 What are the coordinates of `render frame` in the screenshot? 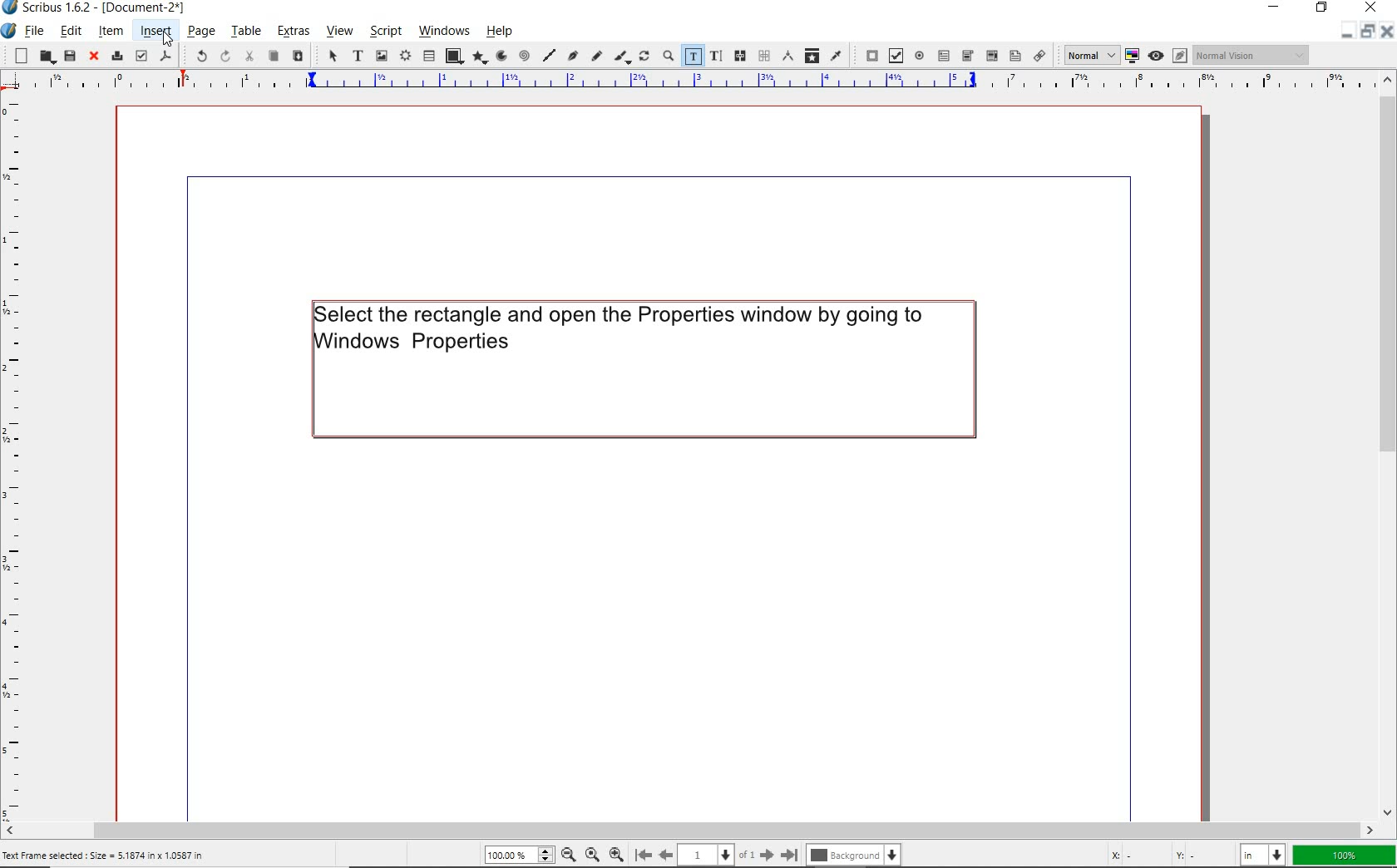 It's located at (404, 57).